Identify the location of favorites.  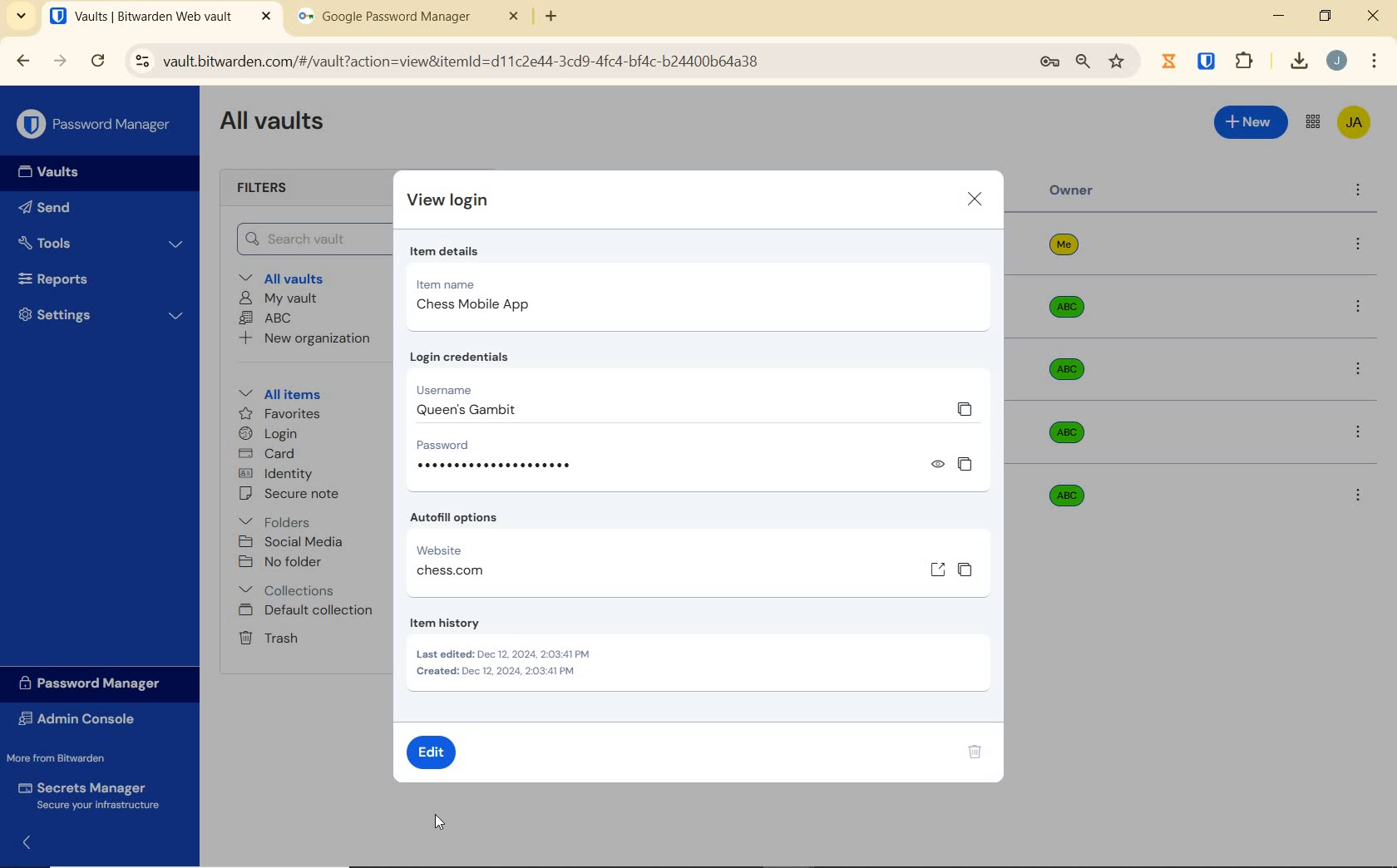
(281, 416).